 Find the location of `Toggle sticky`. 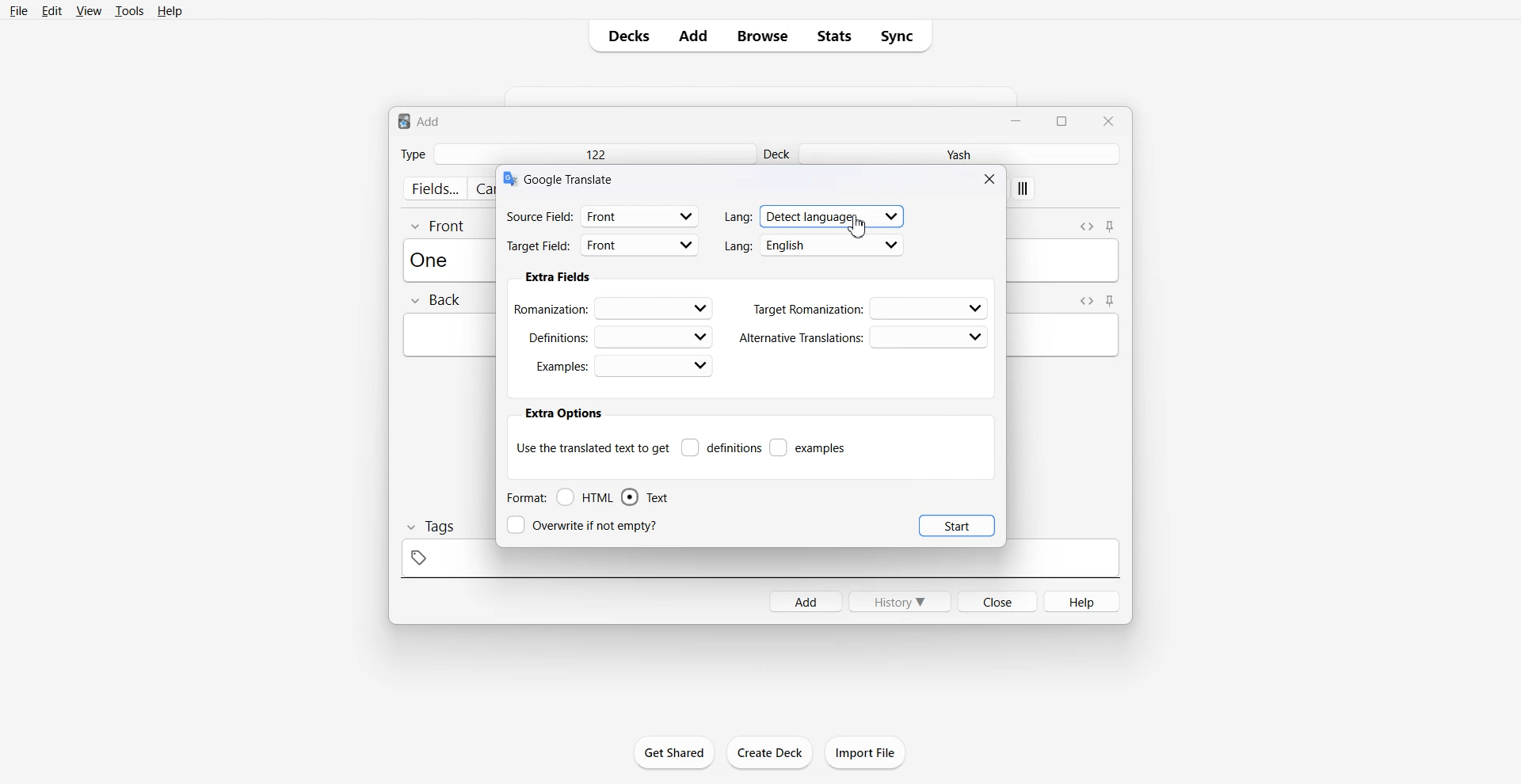

Toggle sticky is located at coordinates (1111, 301).